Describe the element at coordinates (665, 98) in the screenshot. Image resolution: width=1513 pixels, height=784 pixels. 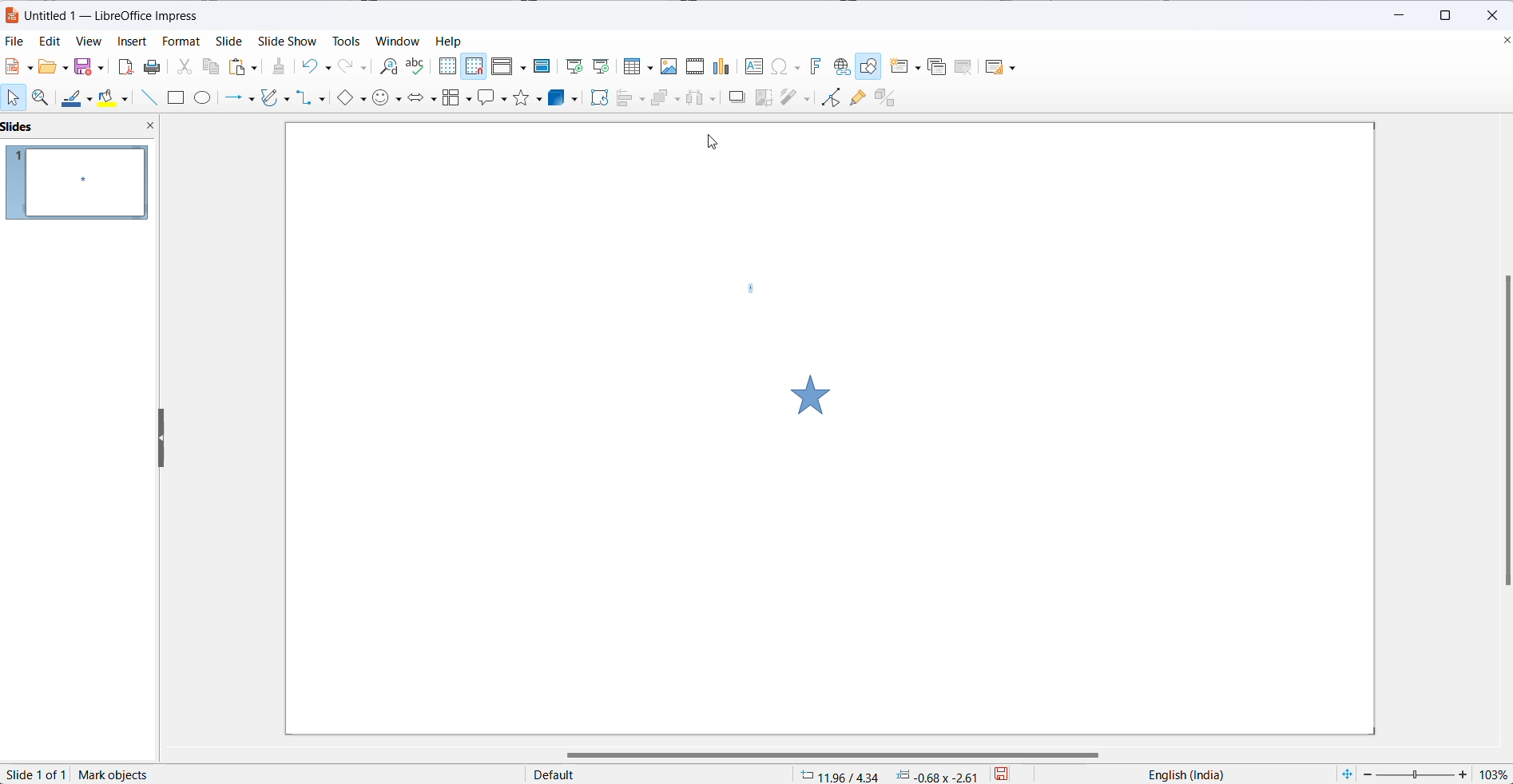
I see `arrange` at that location.